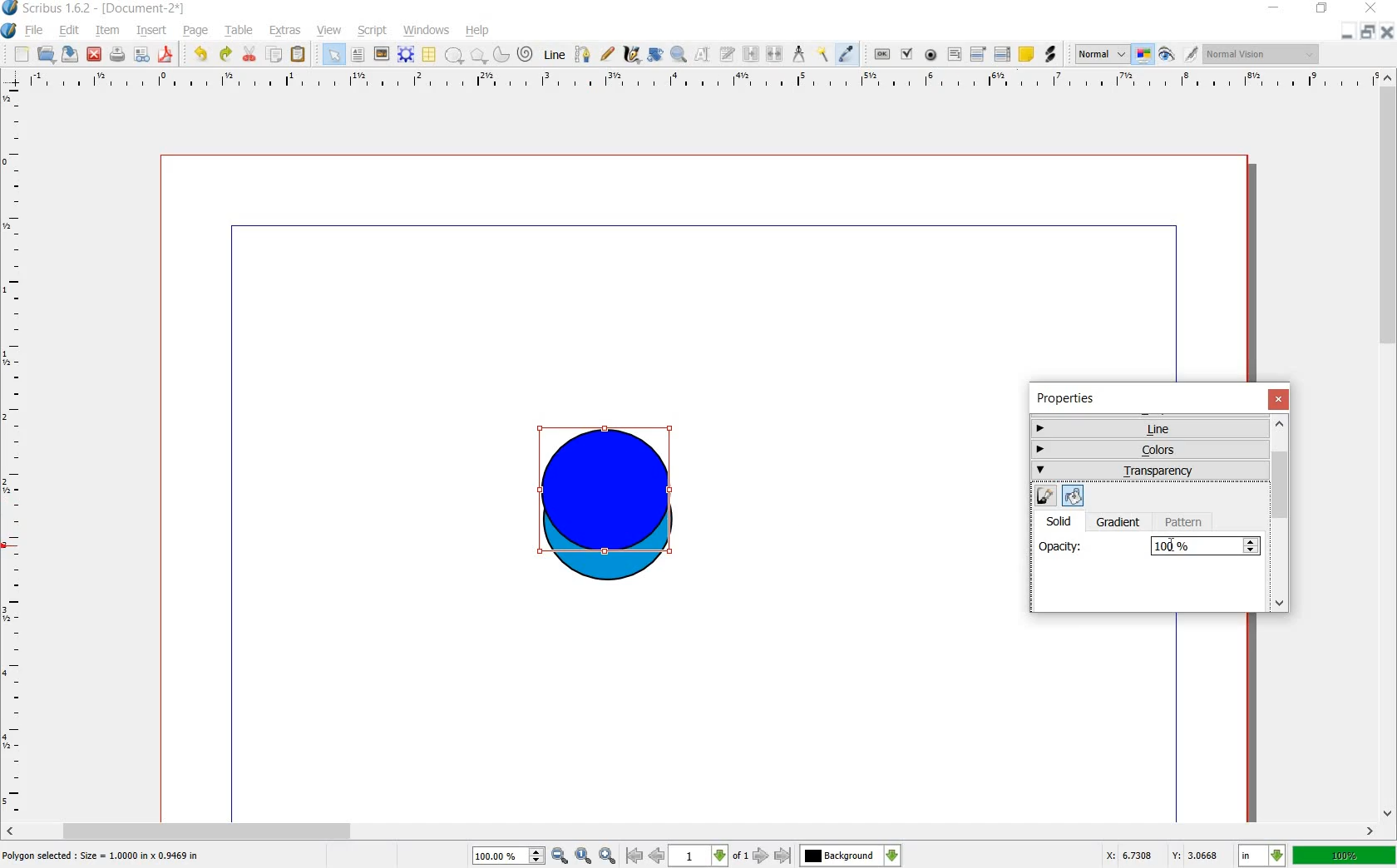  Describe the element at coordinates (381, 54) in the screenshot. I see `image frame` at that location.